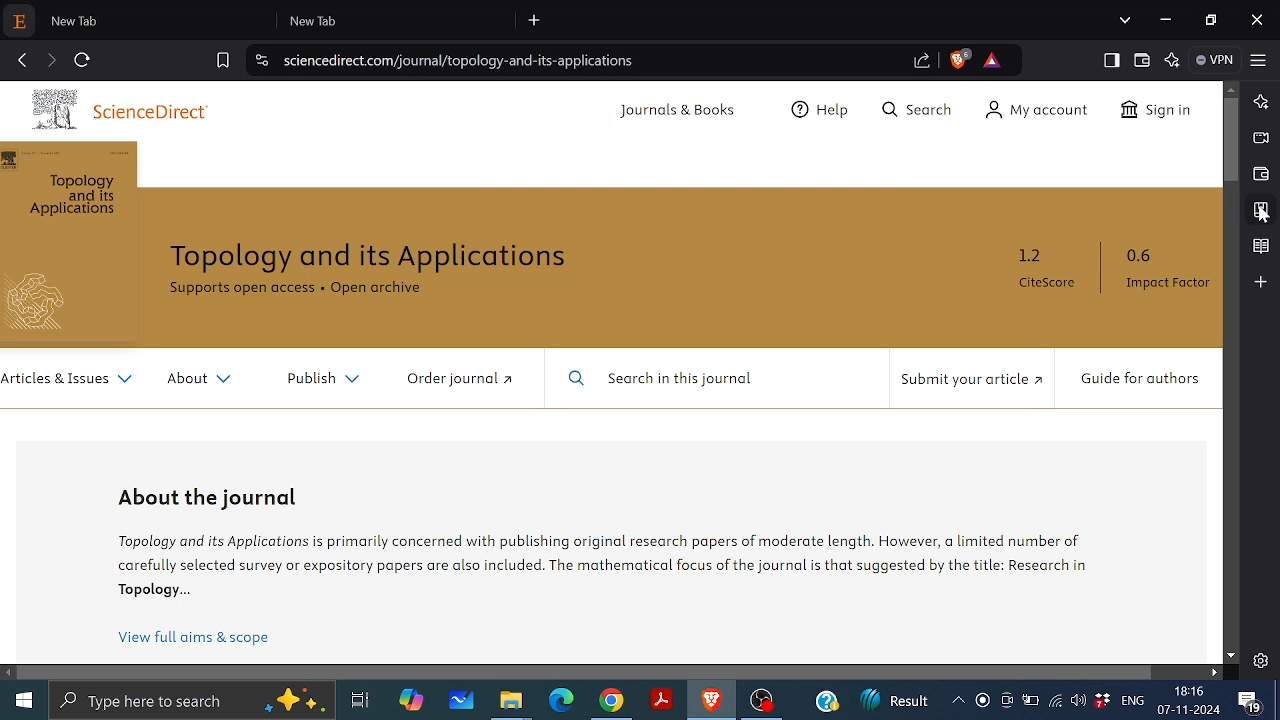  I want to click on horizontal scrollbar, so click(586, 673).